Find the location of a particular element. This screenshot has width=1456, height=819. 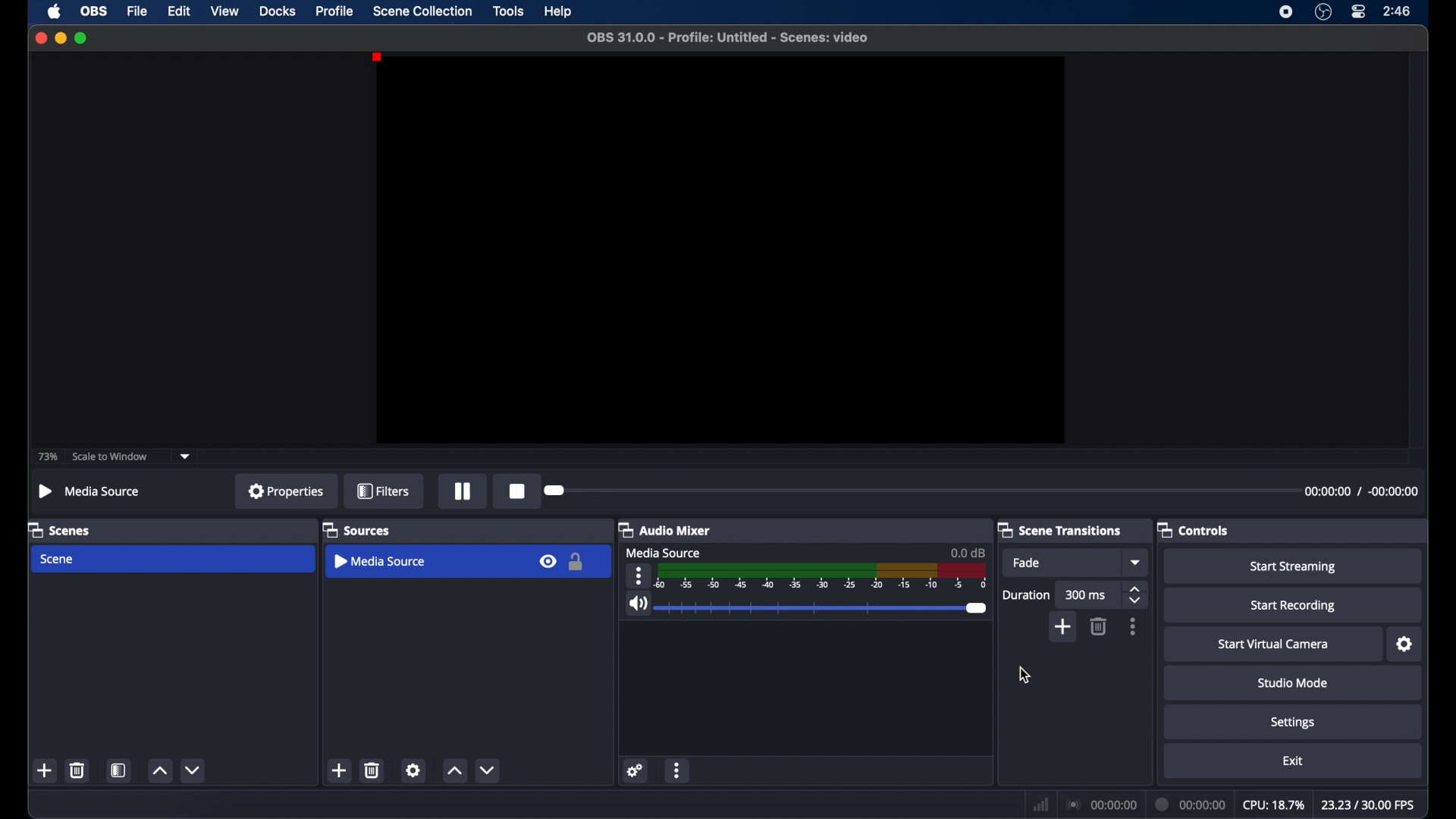

decrement is located at coordinates (194, 770).